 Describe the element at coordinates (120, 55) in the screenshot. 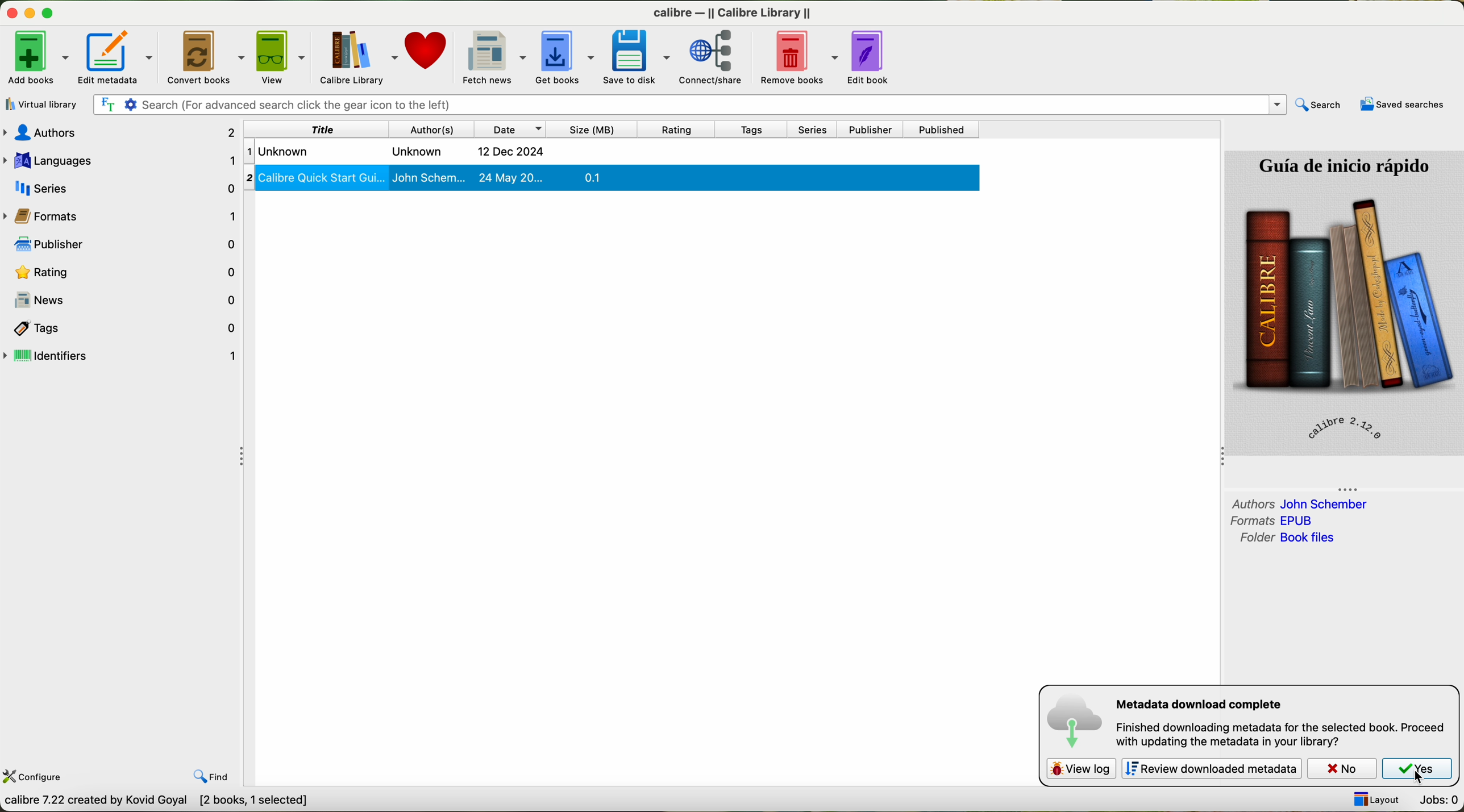

I see `edit metadata` at that location.